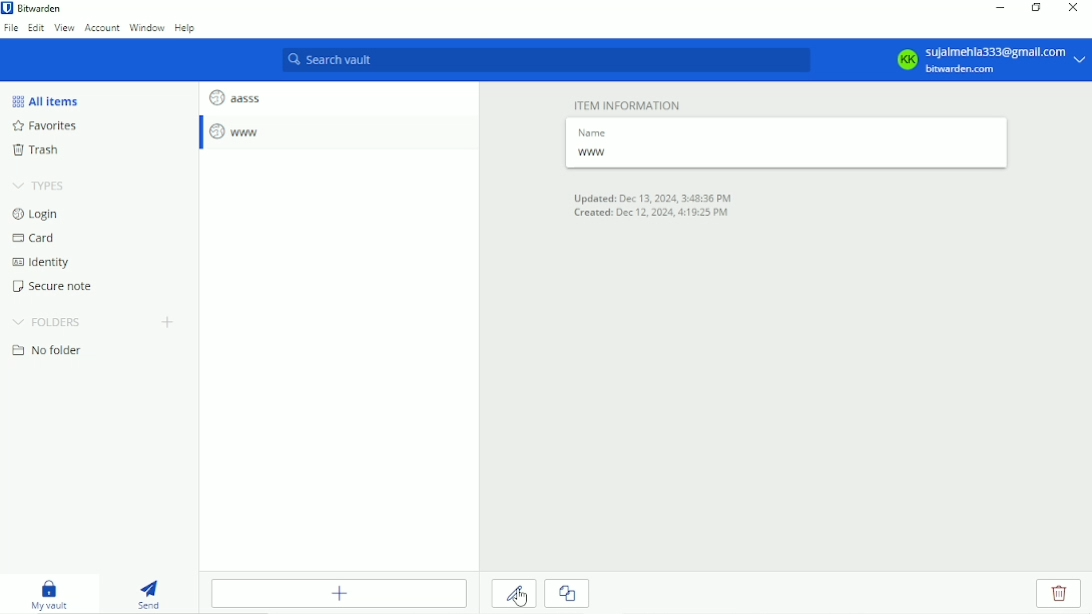  I want to click on Search vault, so click(547, 61).